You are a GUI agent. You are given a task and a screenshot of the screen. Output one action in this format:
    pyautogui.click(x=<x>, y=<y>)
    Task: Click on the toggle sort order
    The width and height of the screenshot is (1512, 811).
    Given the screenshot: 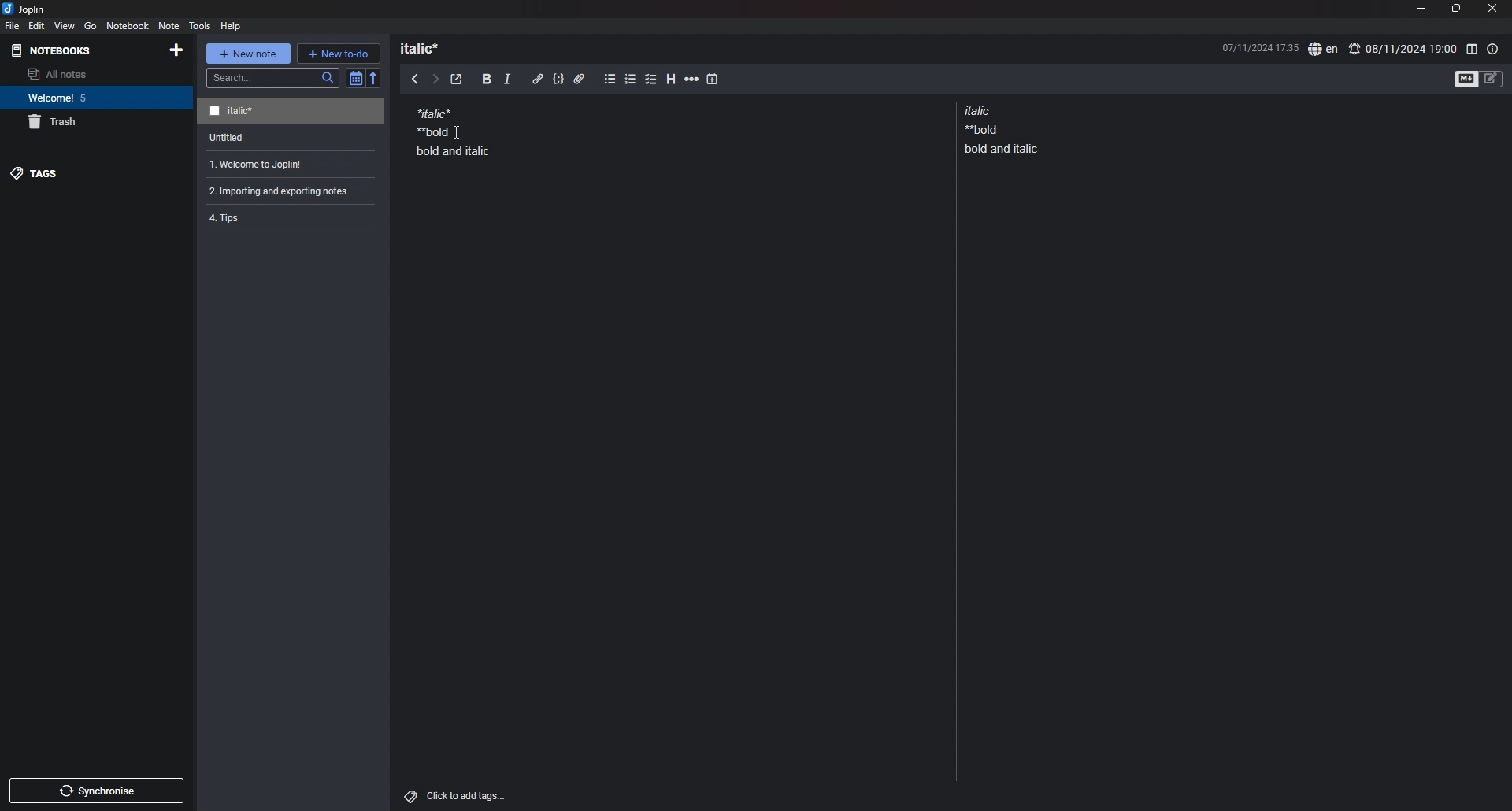 What is the action you would take?
    pyautogui.click(x=355, y=78)
    